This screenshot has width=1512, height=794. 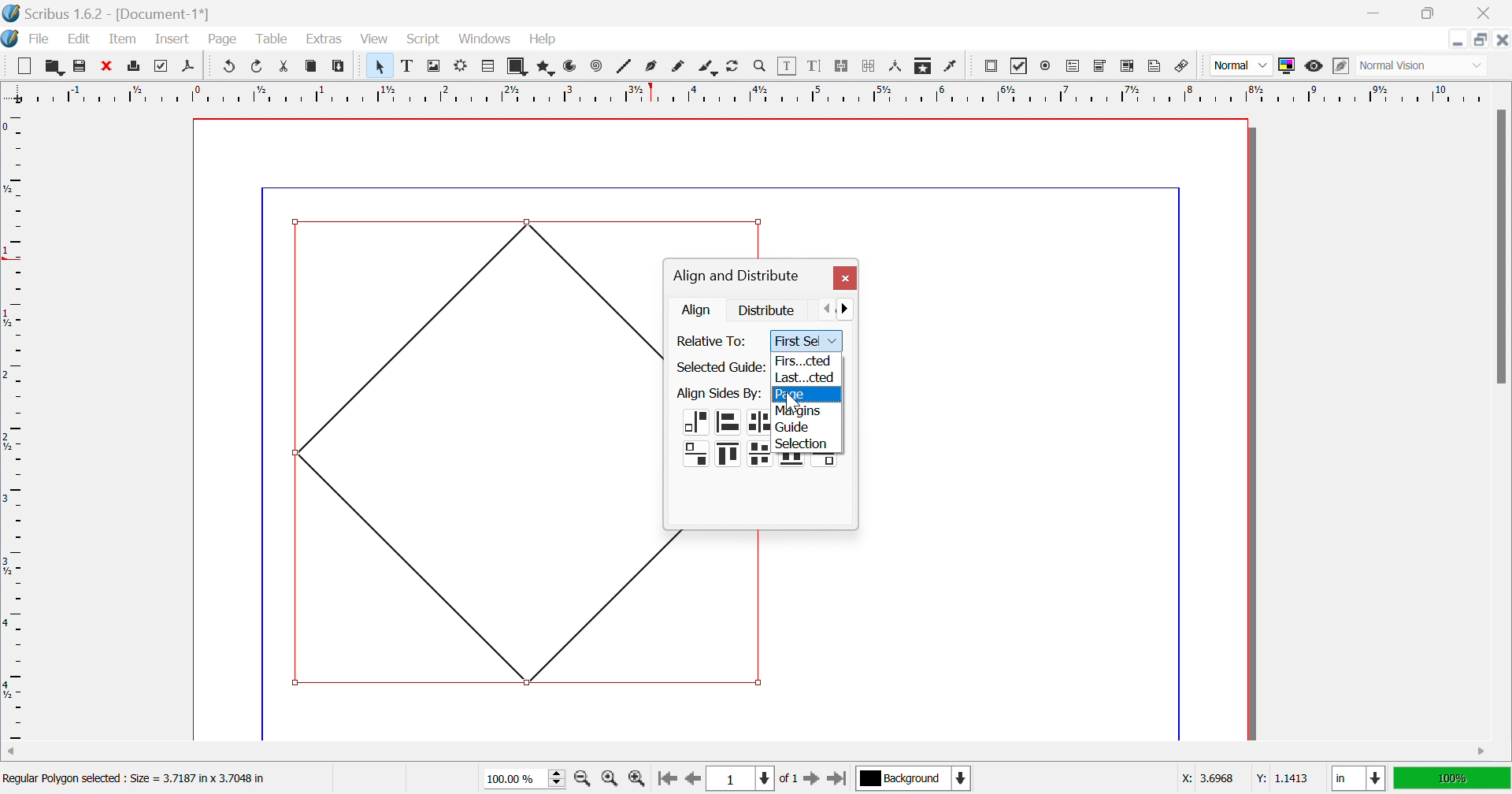 What do you see at coordinates (803, 443) in the screenshot?
I see `Selection` at bounding box center [803, 443].